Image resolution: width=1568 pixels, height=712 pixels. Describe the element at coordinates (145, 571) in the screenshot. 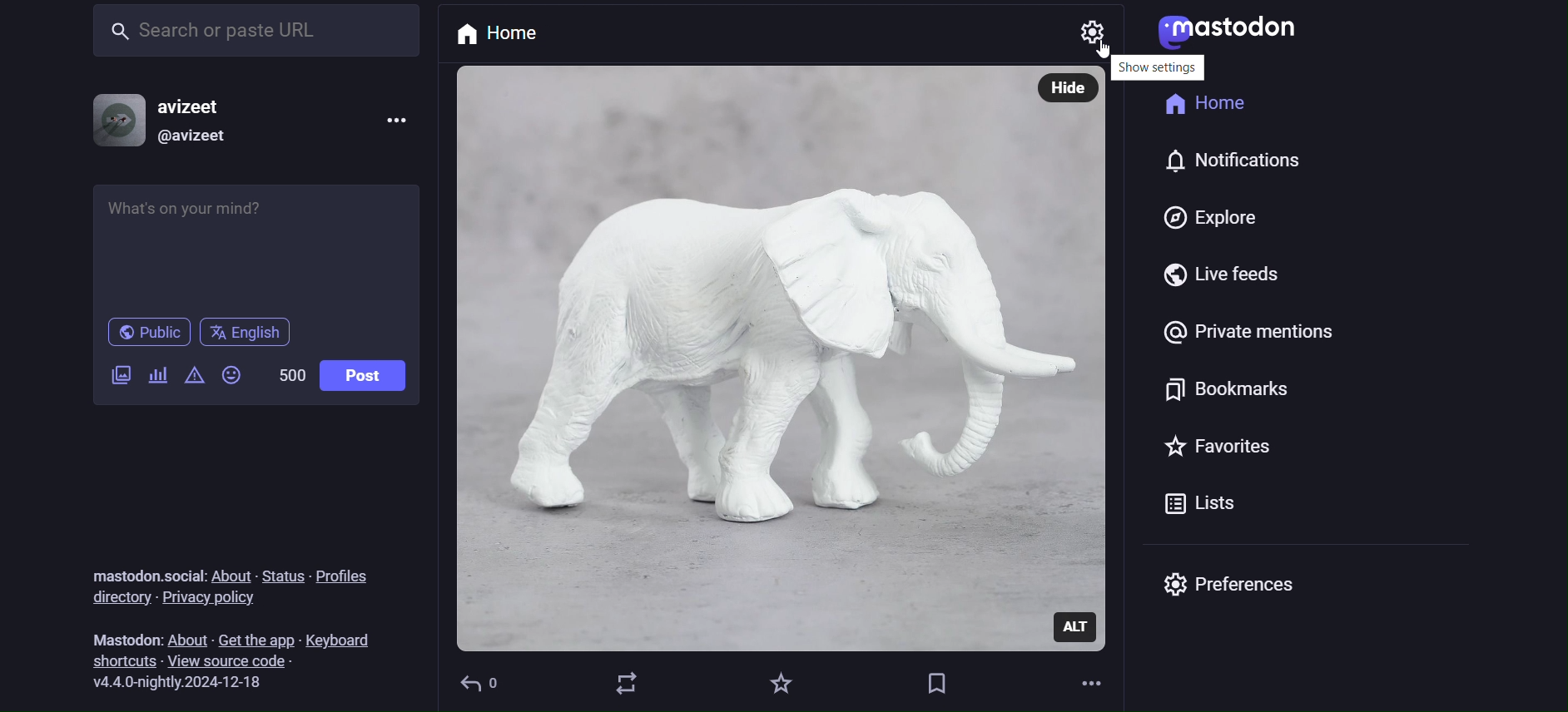

I see `mastodon.social` at that location.